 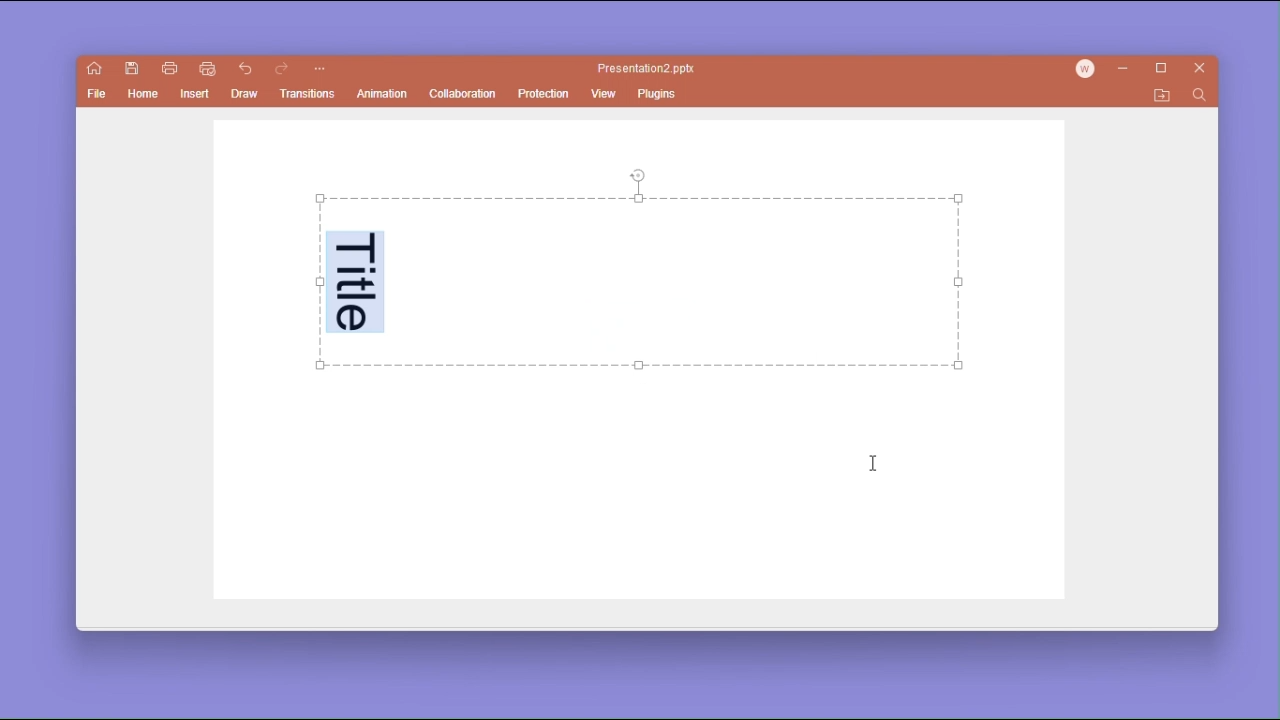 What do you see at coordinates (639, 174) in the screenshot?
I see `rotate tool` at bounding box center [639, 174].